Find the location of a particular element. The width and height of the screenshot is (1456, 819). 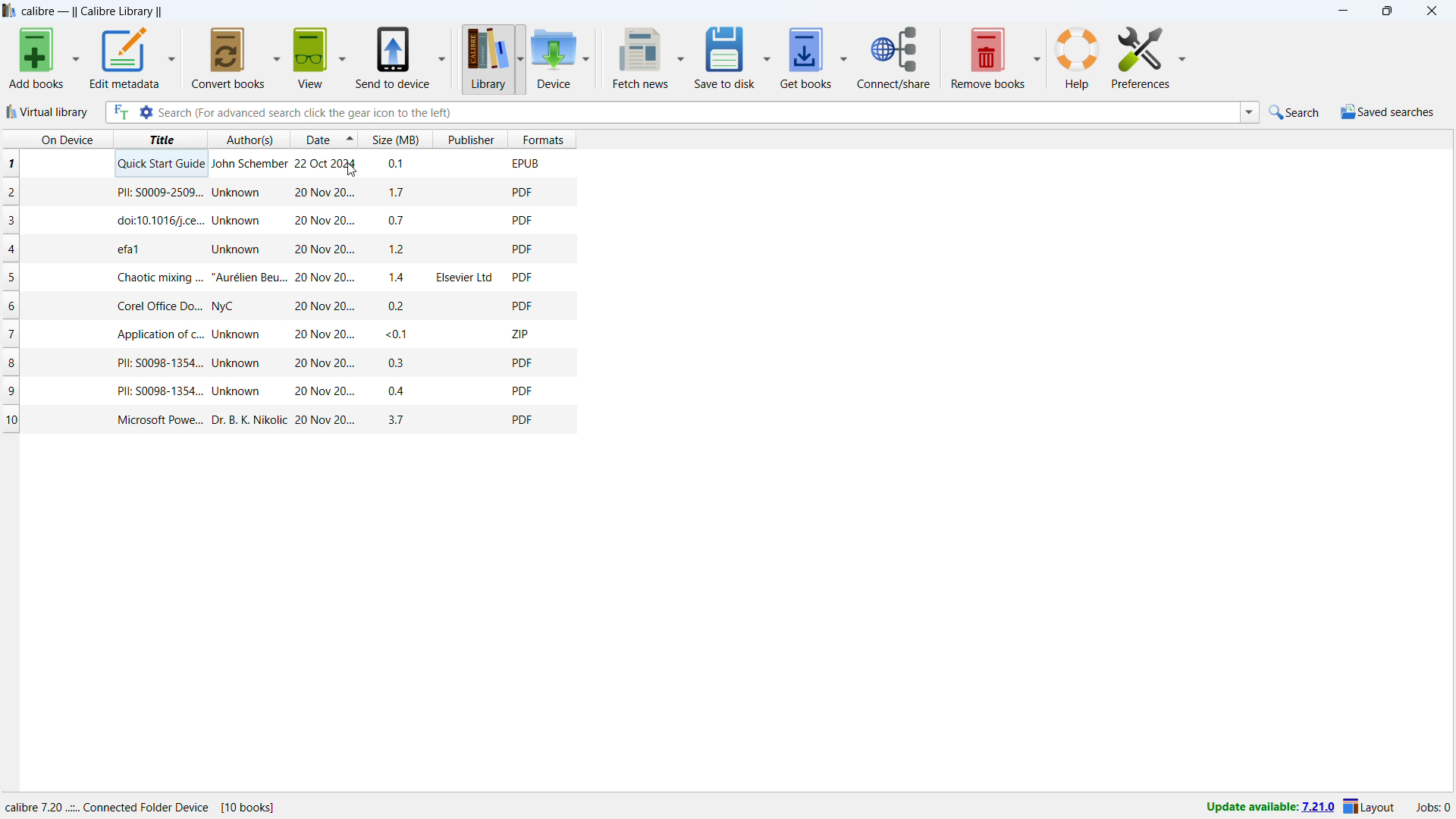

update is located at coordinates (1269, 808).